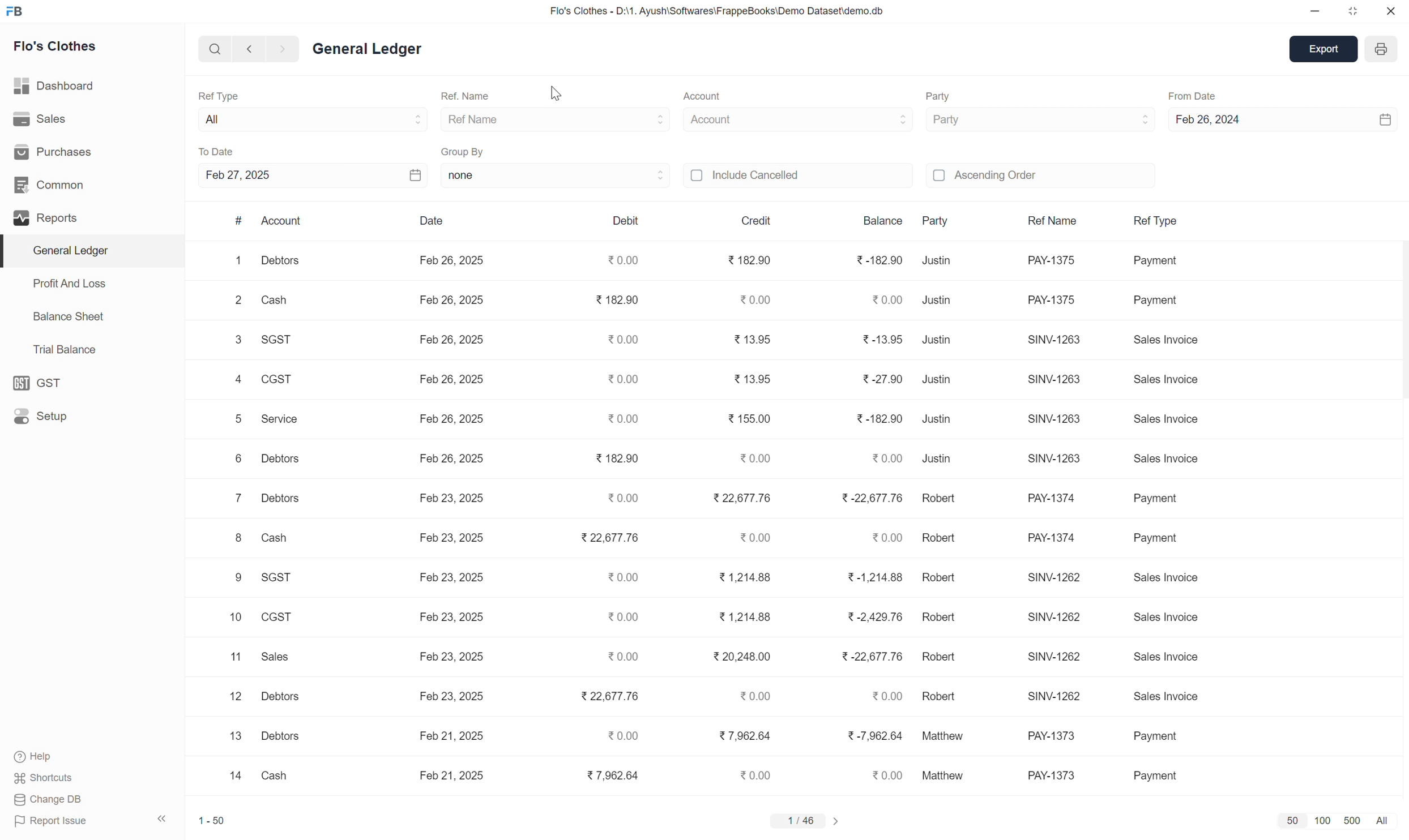  Describe the element at coordinates (1166, 696) in the screenshot. I see `sales invoice` at that location.